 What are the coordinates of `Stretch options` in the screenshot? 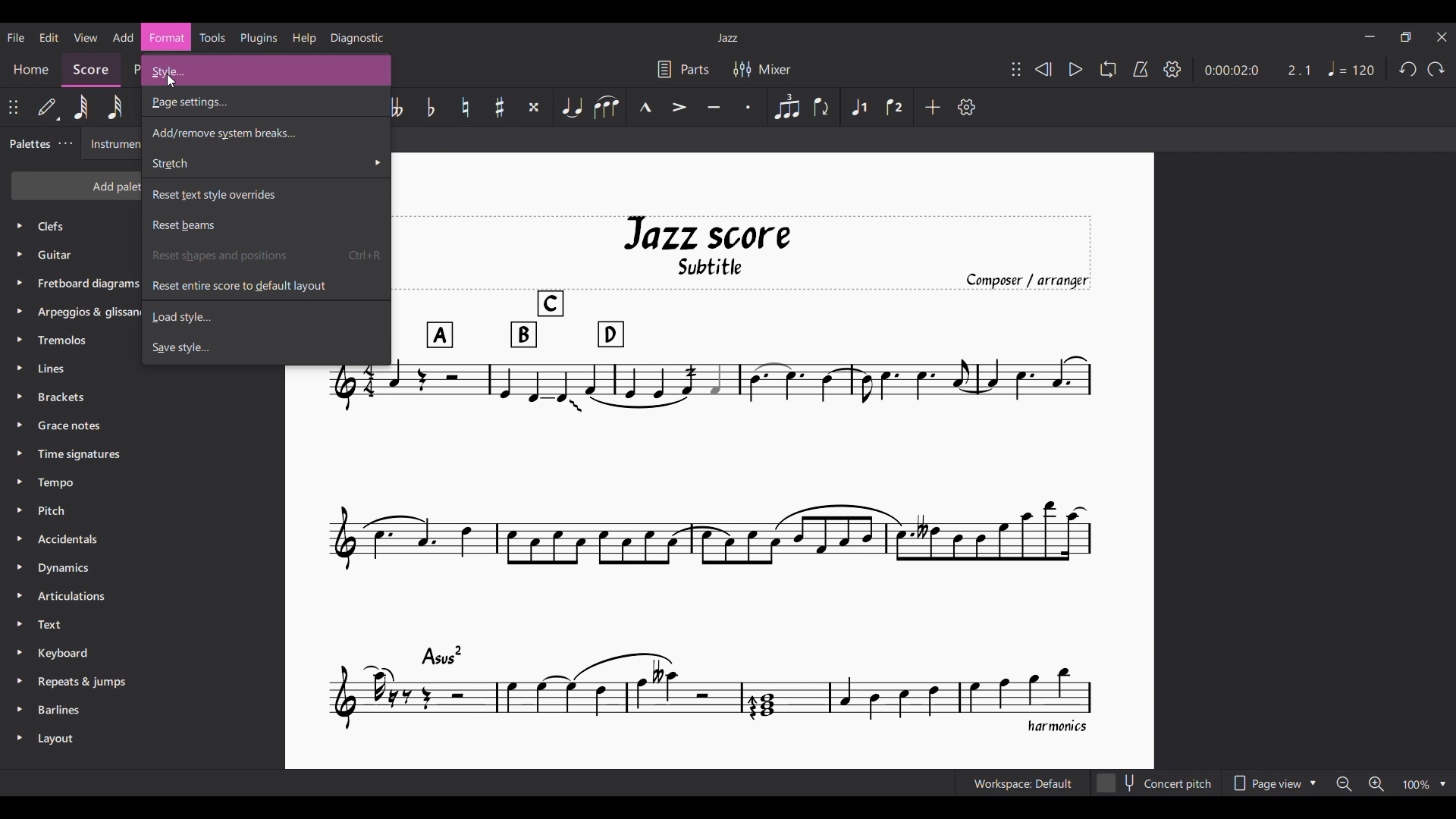 It's located at (266, 163).